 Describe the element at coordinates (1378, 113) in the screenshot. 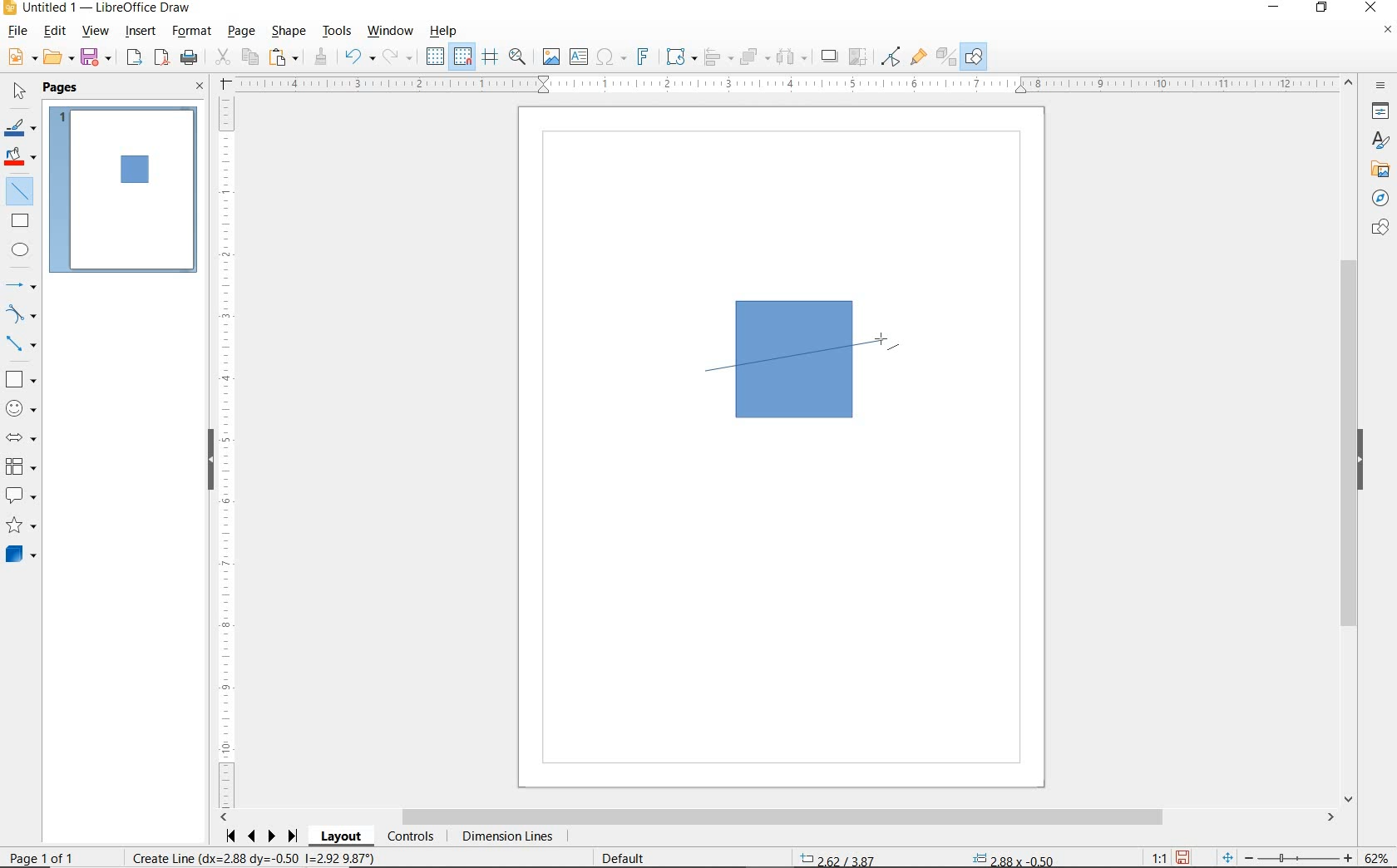

I see `PROPERTIES` at that location.